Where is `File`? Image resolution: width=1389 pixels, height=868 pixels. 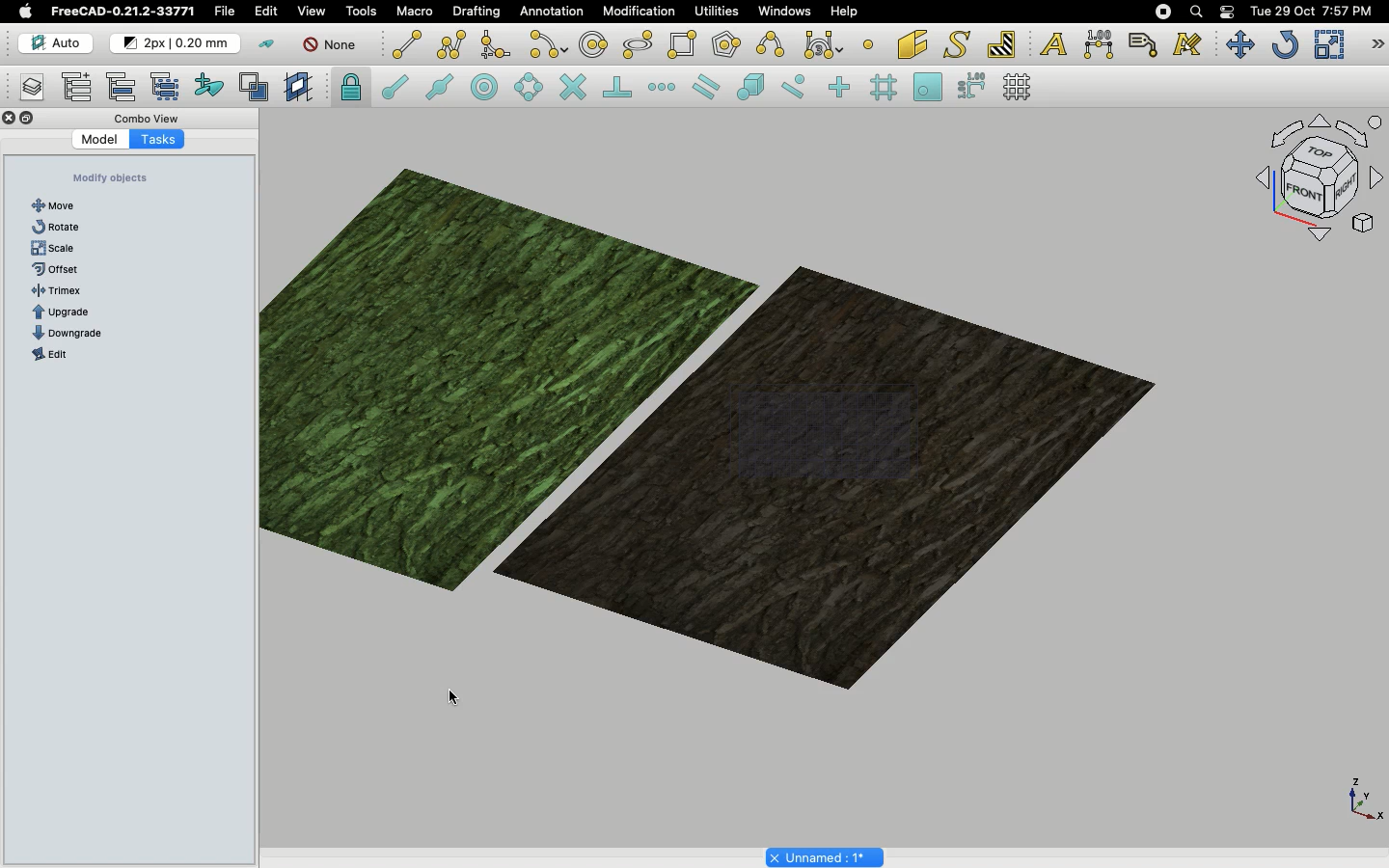
File is located at coordinates (225, 12).